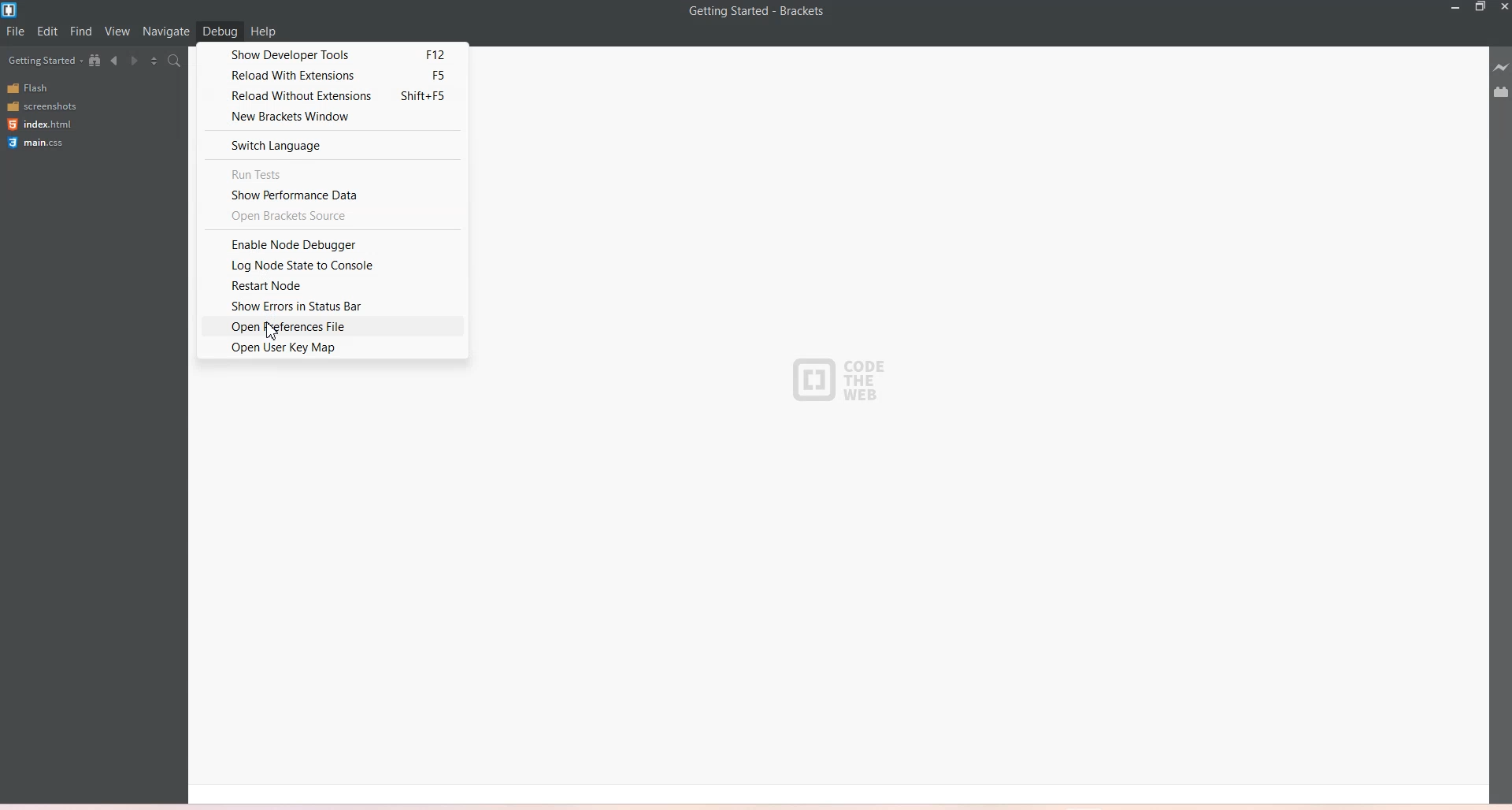 The image size is (1512, 810). What do you see at coordinates (117, 61) in the screenshot?
I see `Navigate Backwards` at bounding box center [117, 61].